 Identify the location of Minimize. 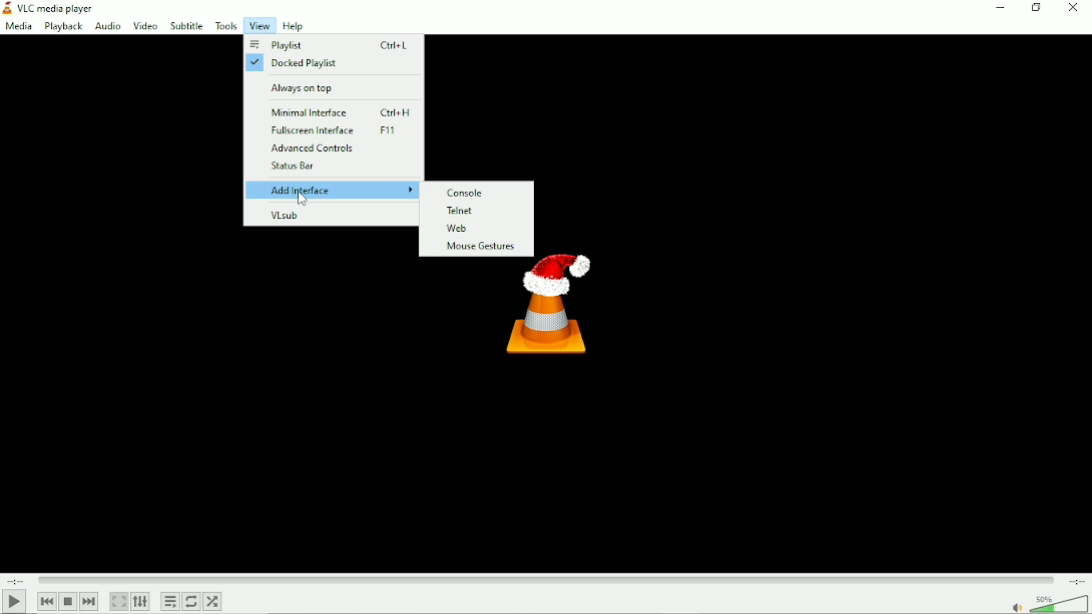
(1003, 9).